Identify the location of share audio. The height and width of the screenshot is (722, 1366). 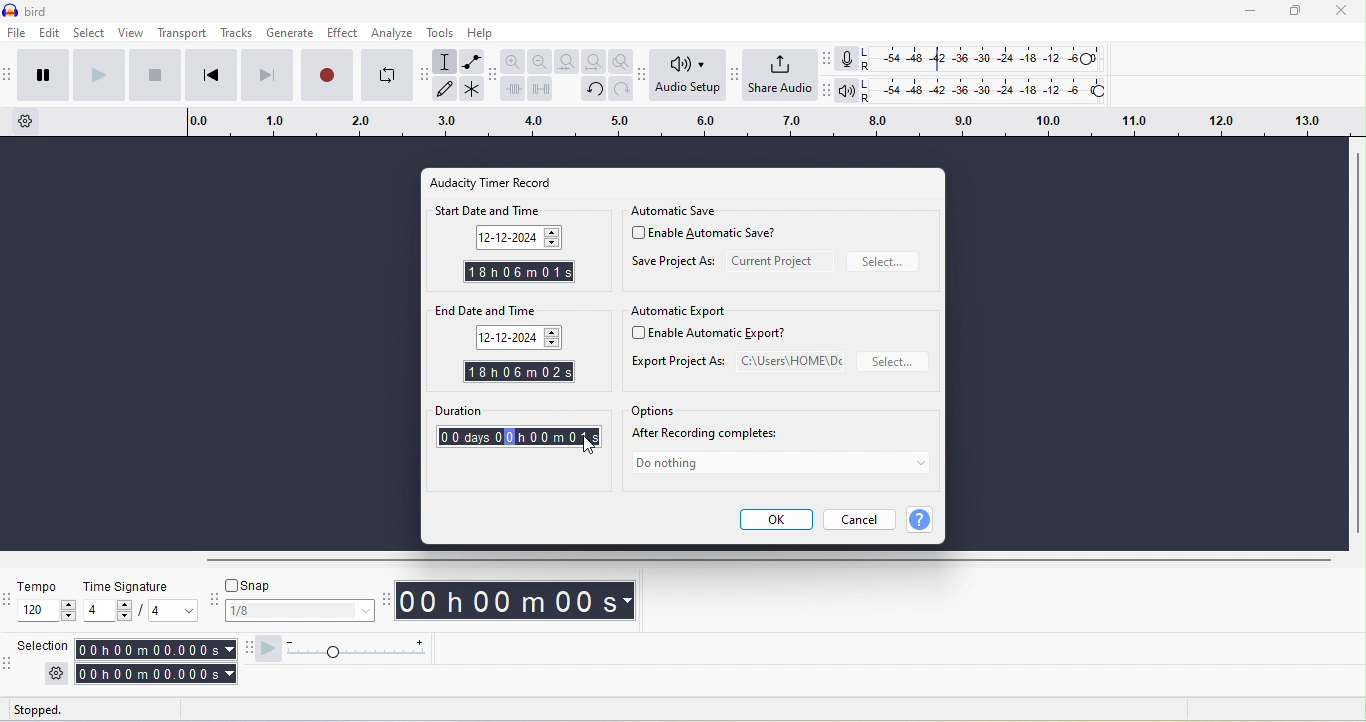
(778, 76).